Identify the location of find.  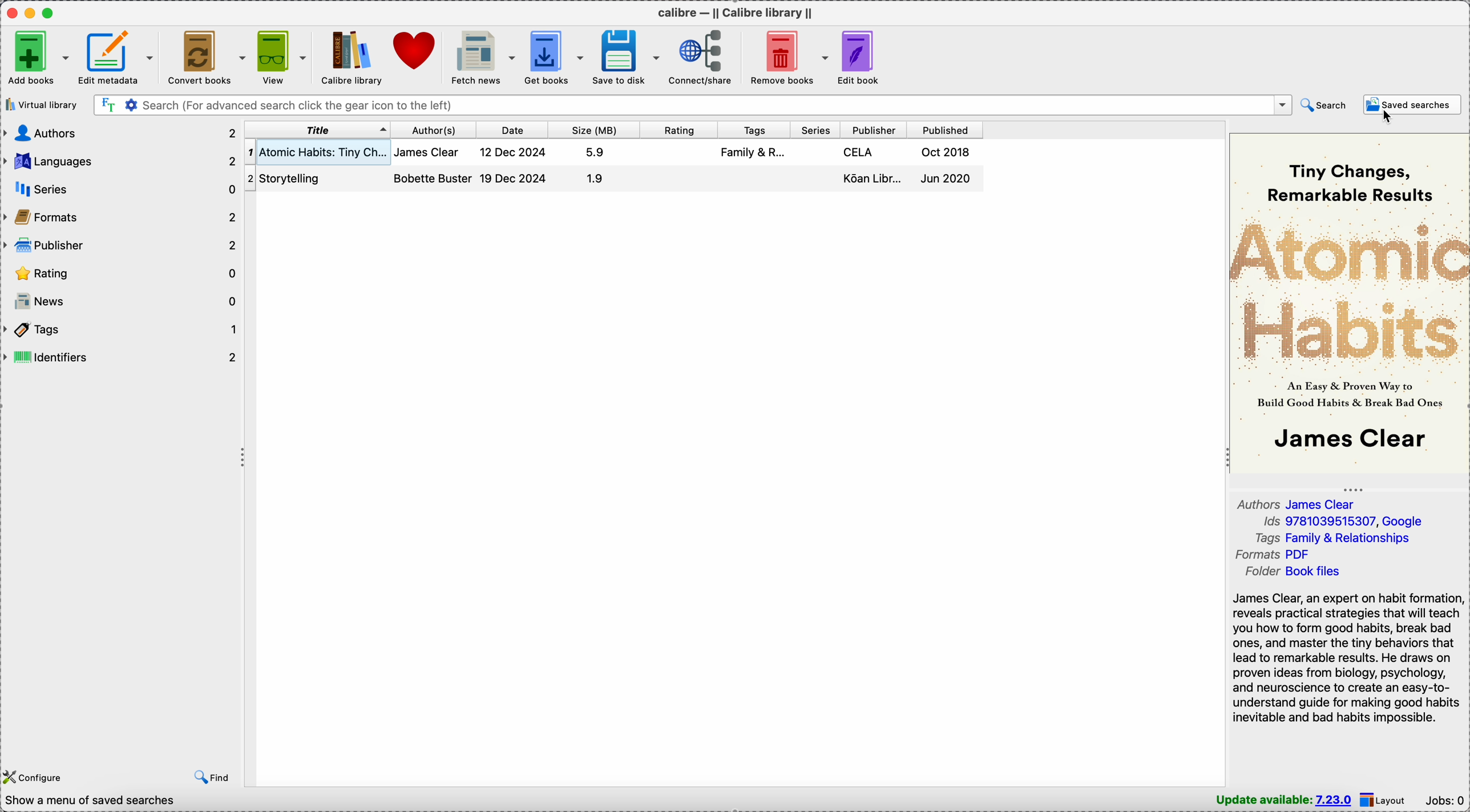
(215, 776).